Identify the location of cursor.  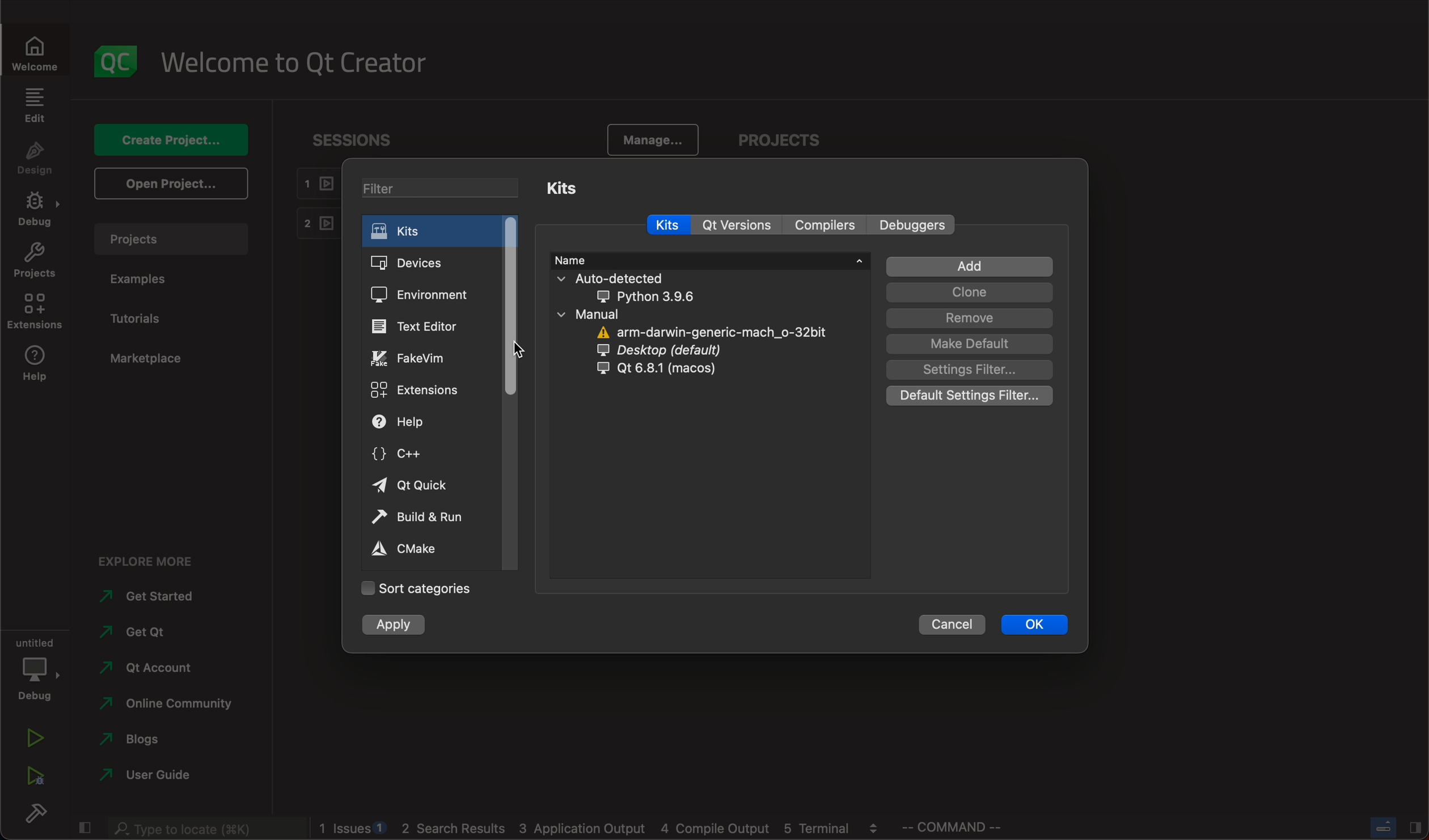
(522, 346).